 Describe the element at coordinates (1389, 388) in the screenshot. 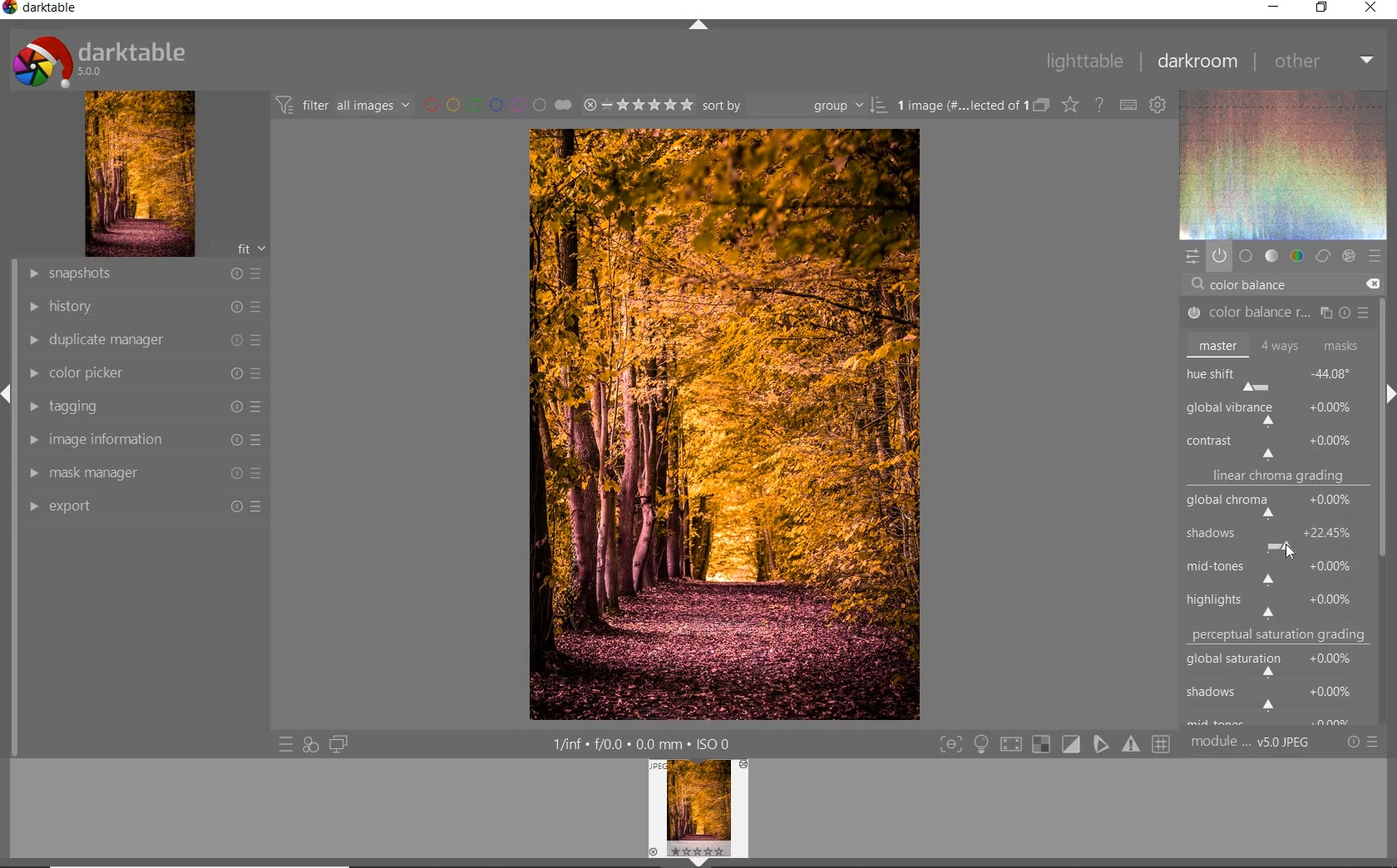

I see `expand/collapse` at that location.